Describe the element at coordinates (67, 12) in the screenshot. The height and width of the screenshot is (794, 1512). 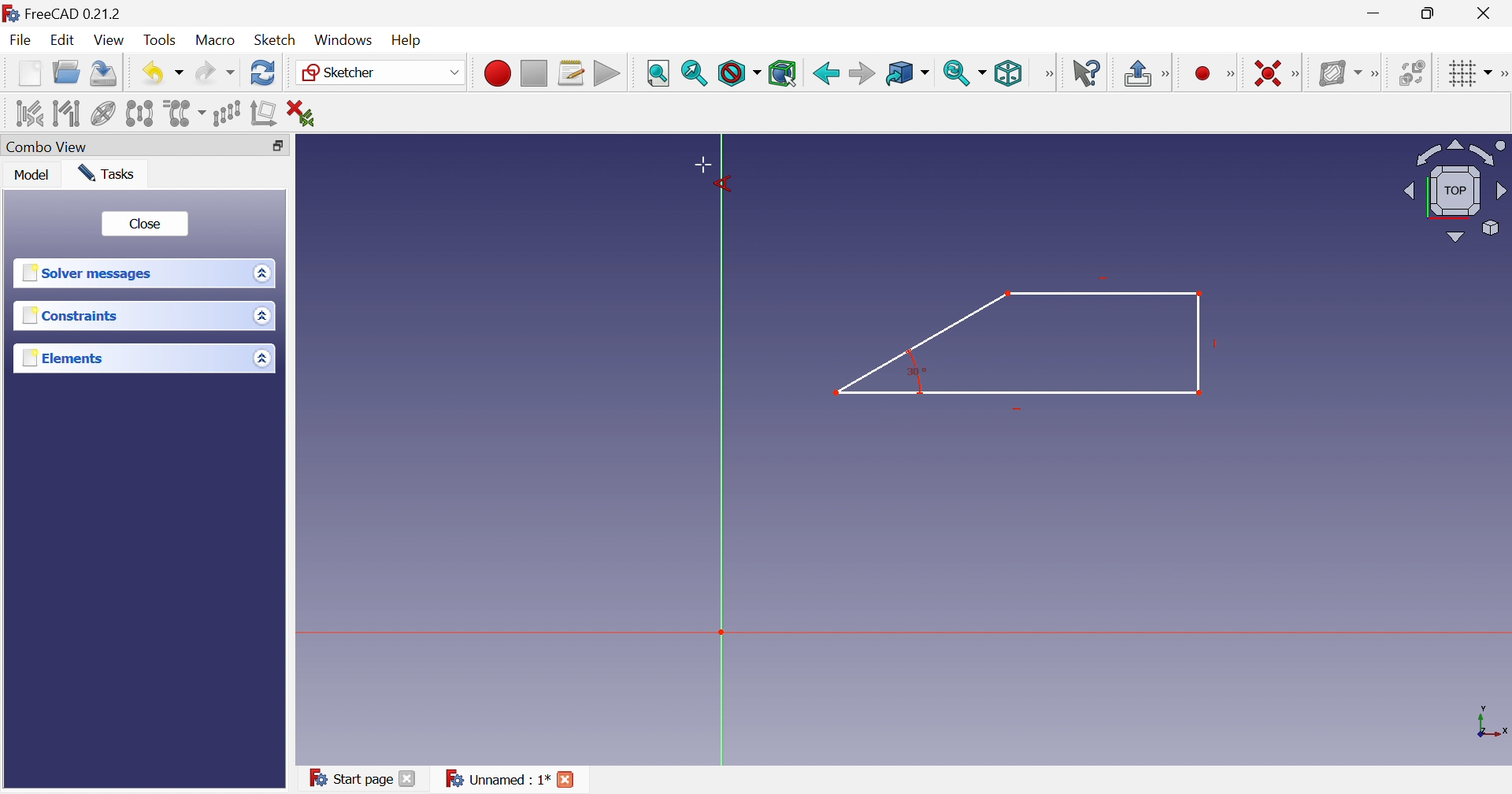
I see `FreeCAD 0.21.2` at that location.